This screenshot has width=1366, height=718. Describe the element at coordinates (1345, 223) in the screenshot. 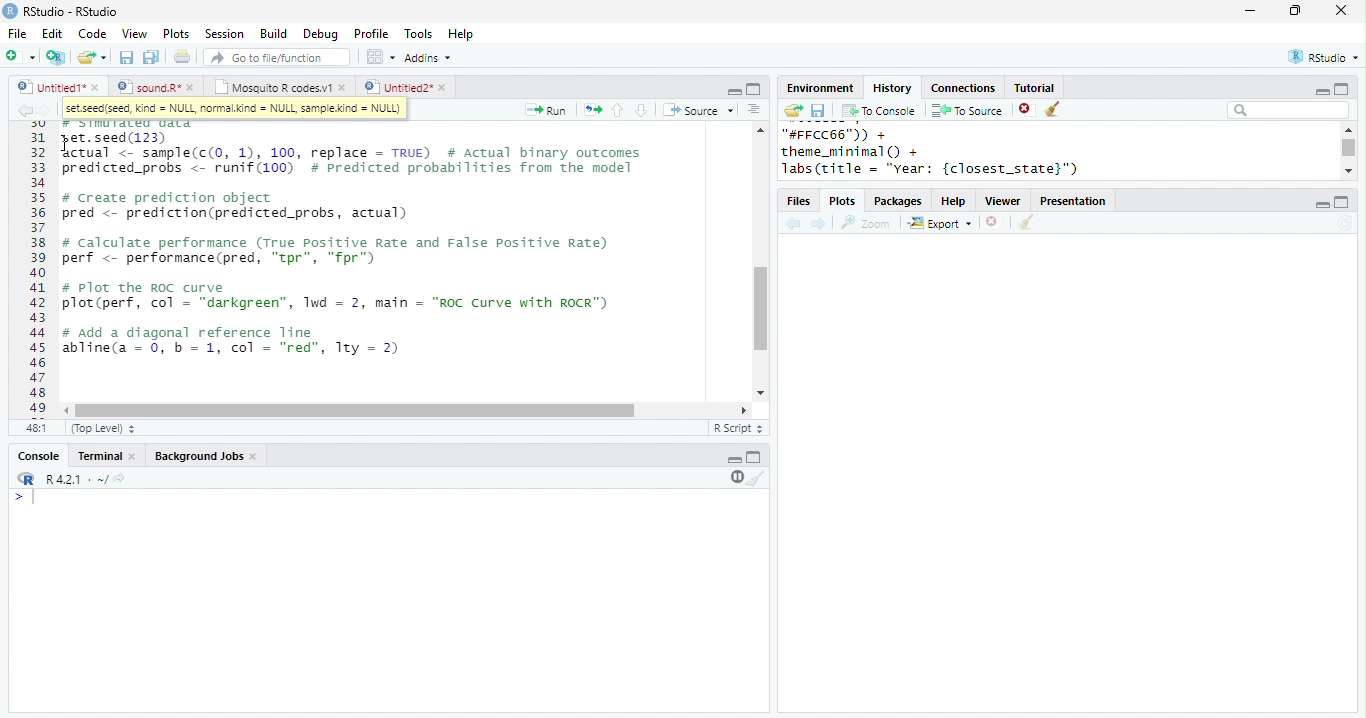

I see `refresh` at that location.